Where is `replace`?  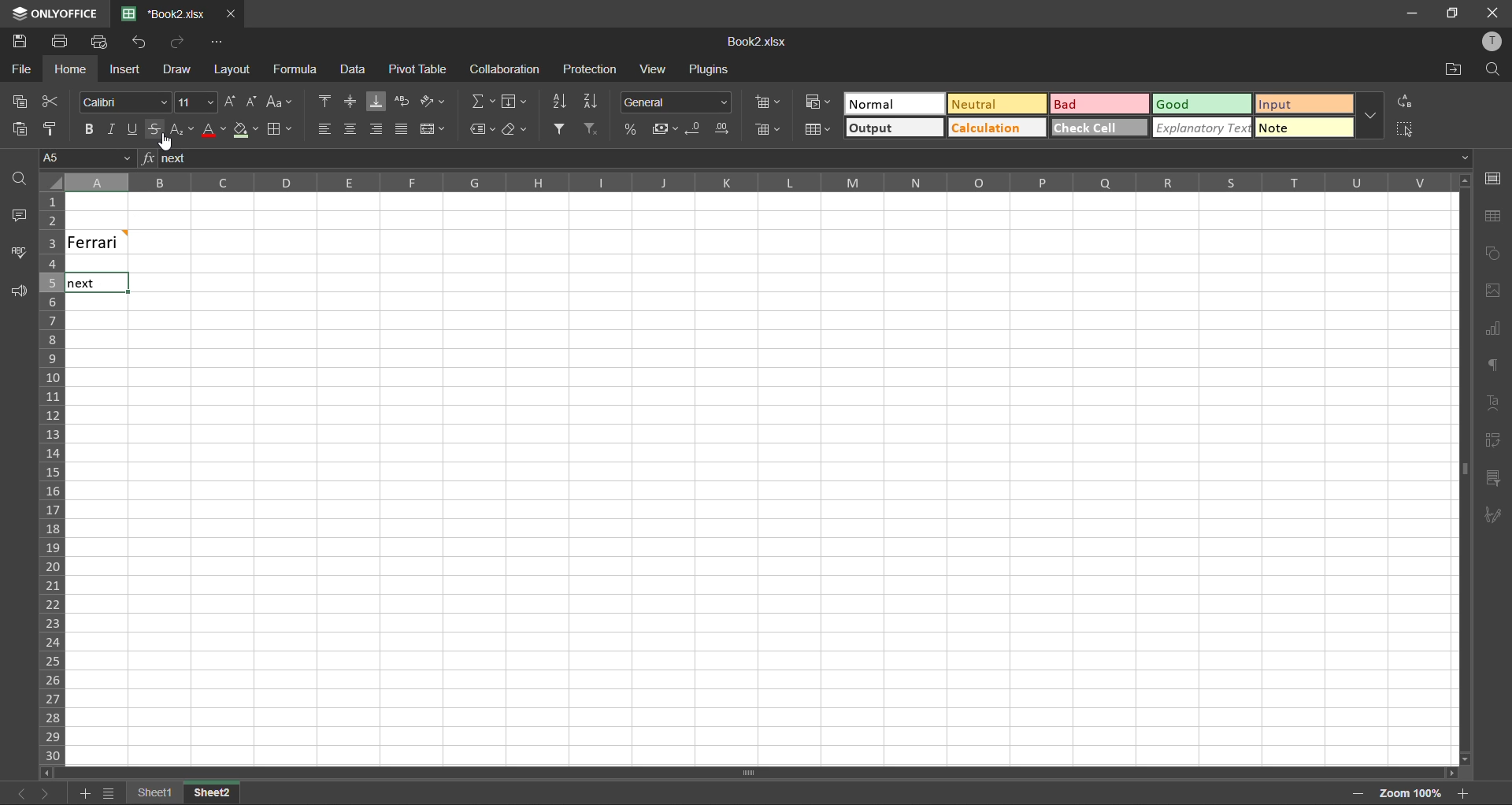
replace is located at coordinates (1410, 101).